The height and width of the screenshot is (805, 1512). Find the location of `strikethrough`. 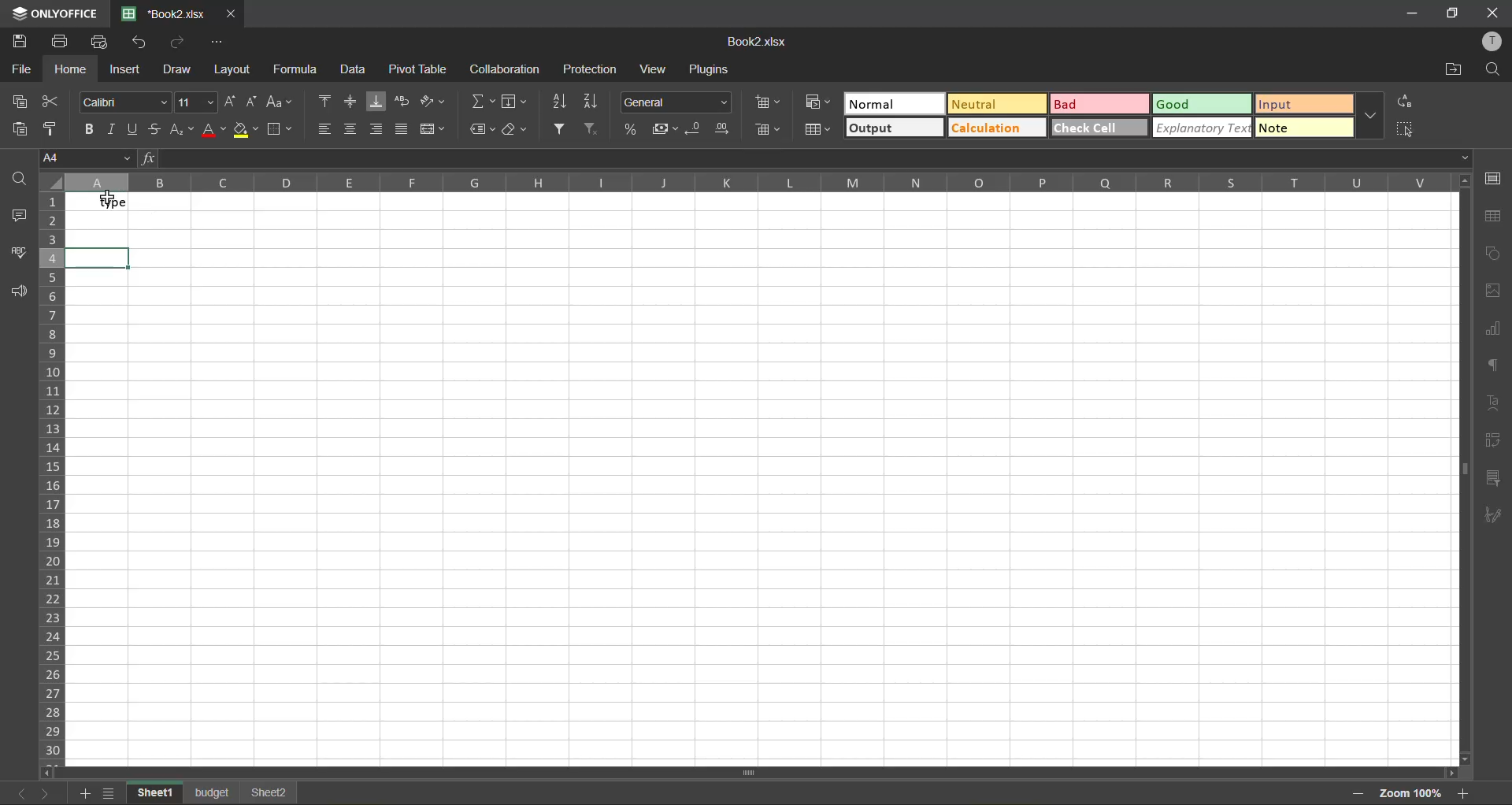

strikethrough is located at coordinates (159, 129).